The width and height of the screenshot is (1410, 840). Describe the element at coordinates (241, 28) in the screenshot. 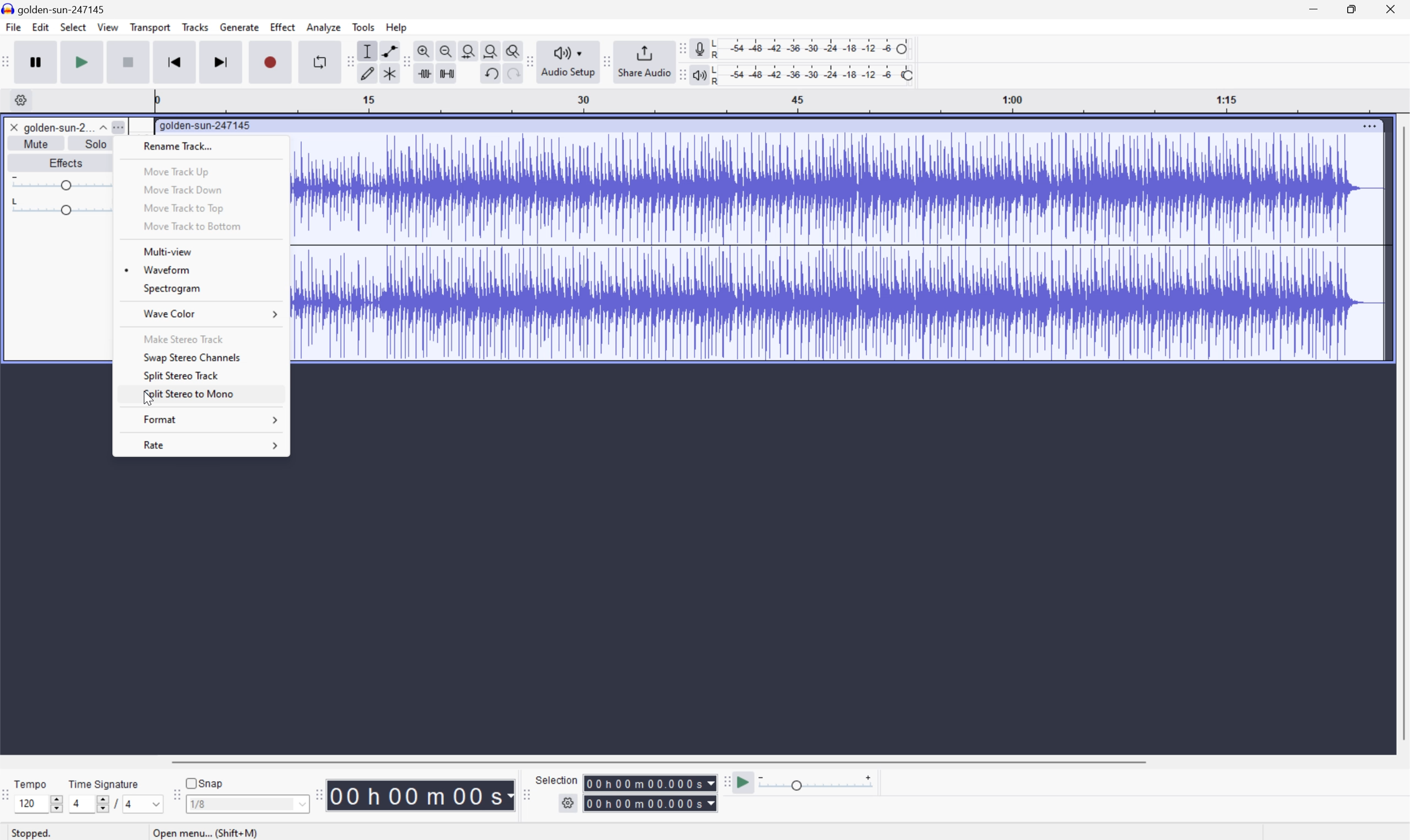

I see `Generate` at that location.